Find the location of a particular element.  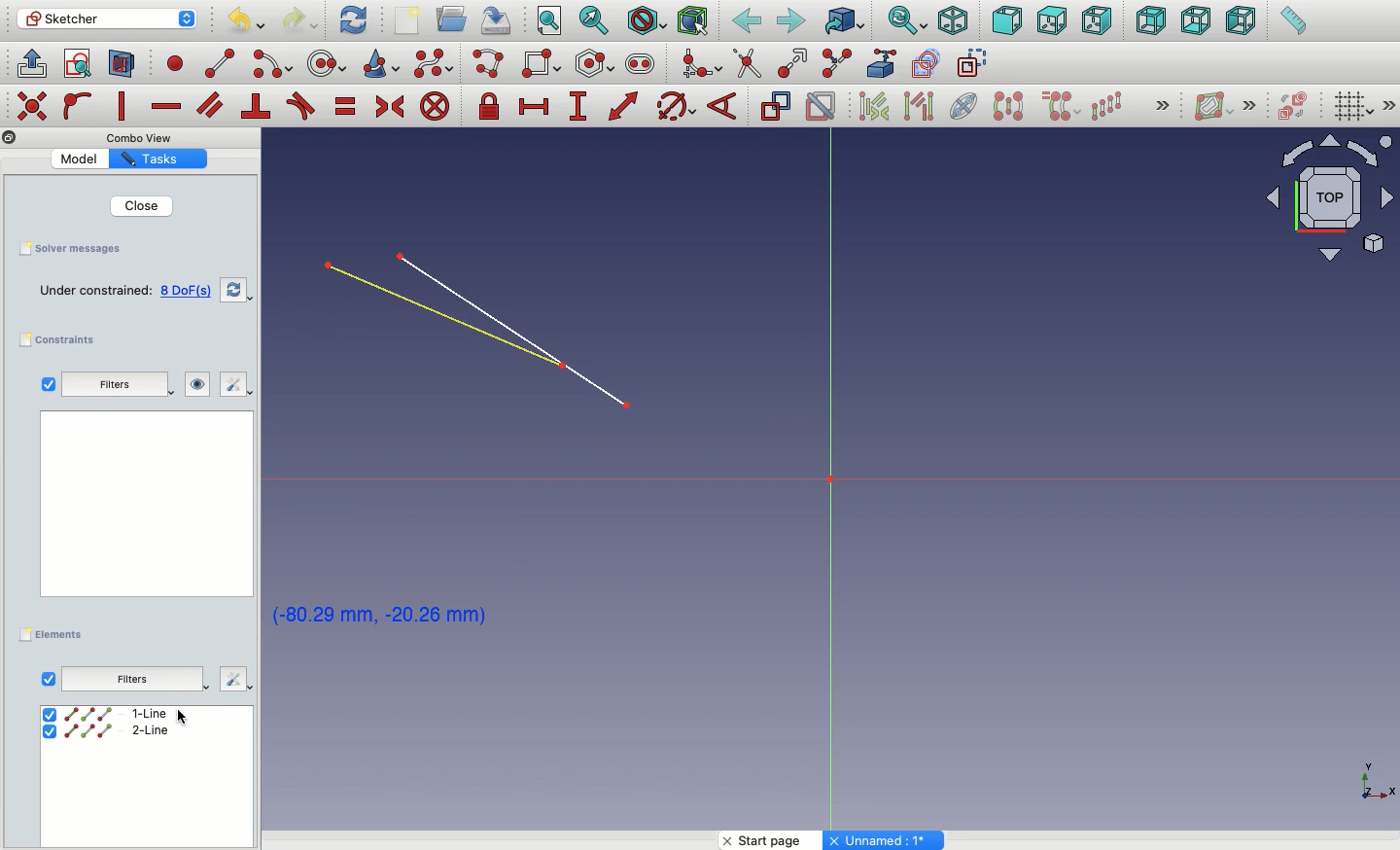

Value is located at coordinates (79, 159).